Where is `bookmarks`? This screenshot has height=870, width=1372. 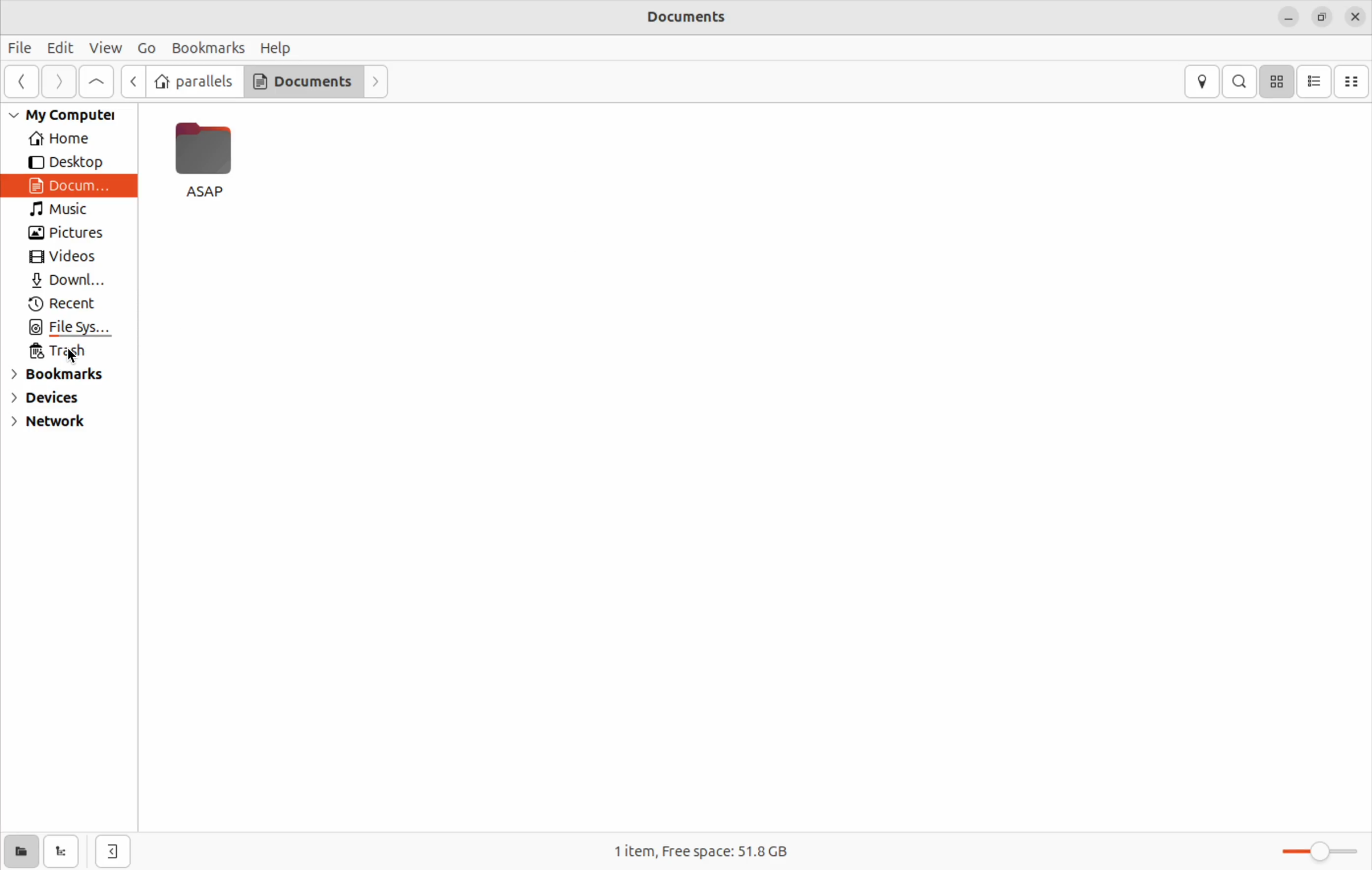 bookmarks is located at coordinates (61, 377).